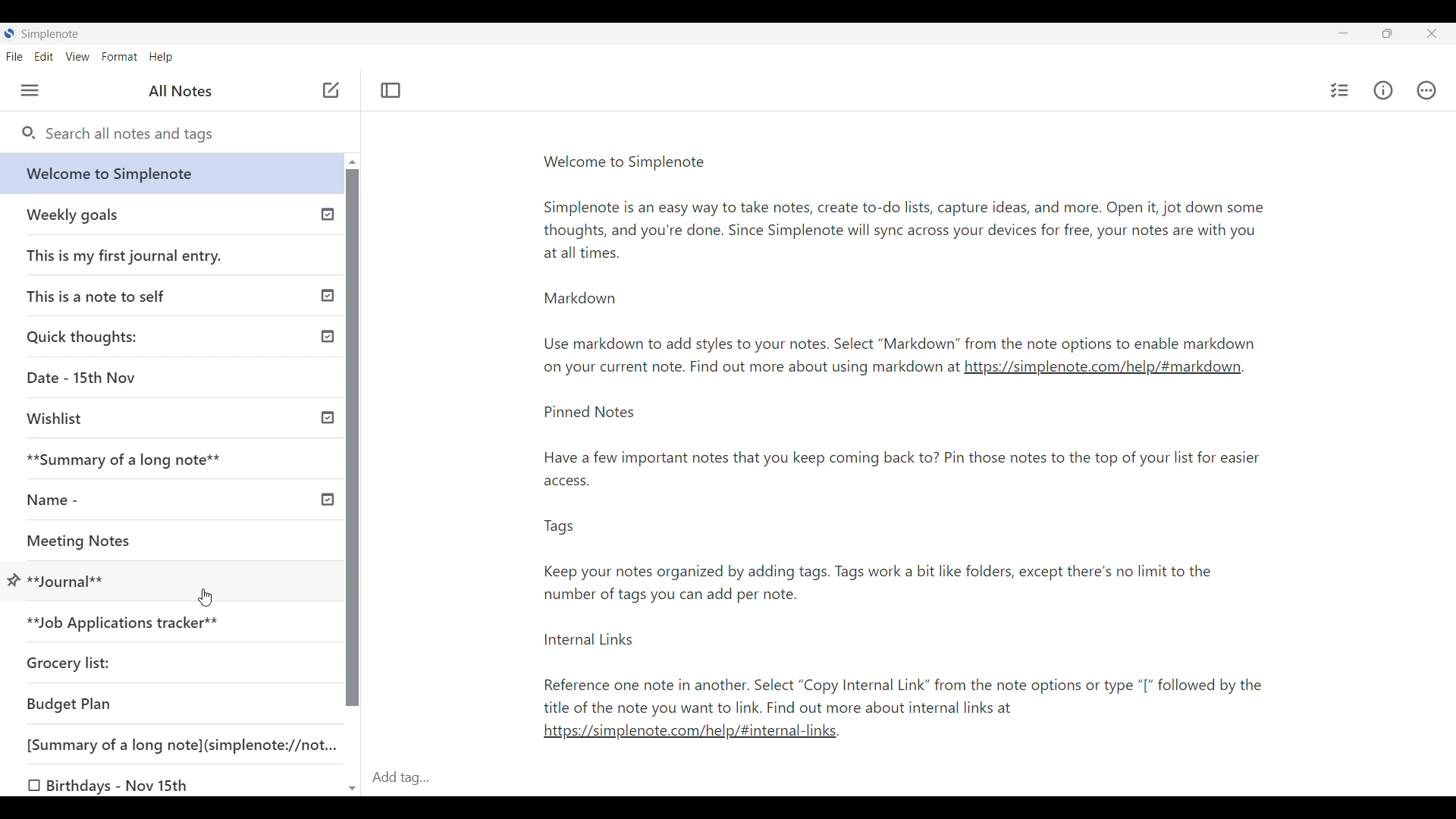  I want to click on **Journal**, so click(68, 579).